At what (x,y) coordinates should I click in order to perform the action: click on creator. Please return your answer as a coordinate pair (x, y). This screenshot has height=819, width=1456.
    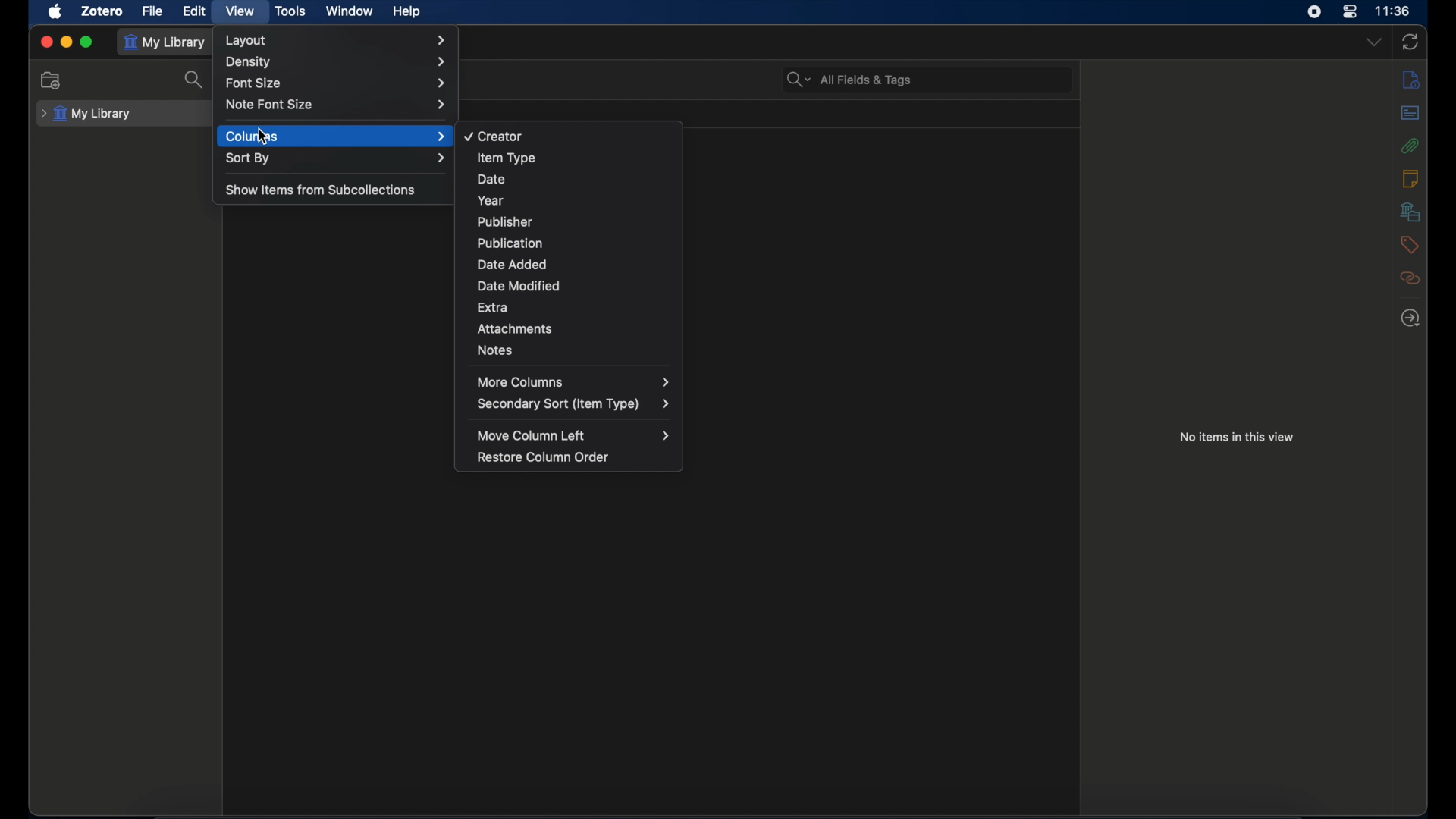
    Looking at the image, I should click on (495, 137).